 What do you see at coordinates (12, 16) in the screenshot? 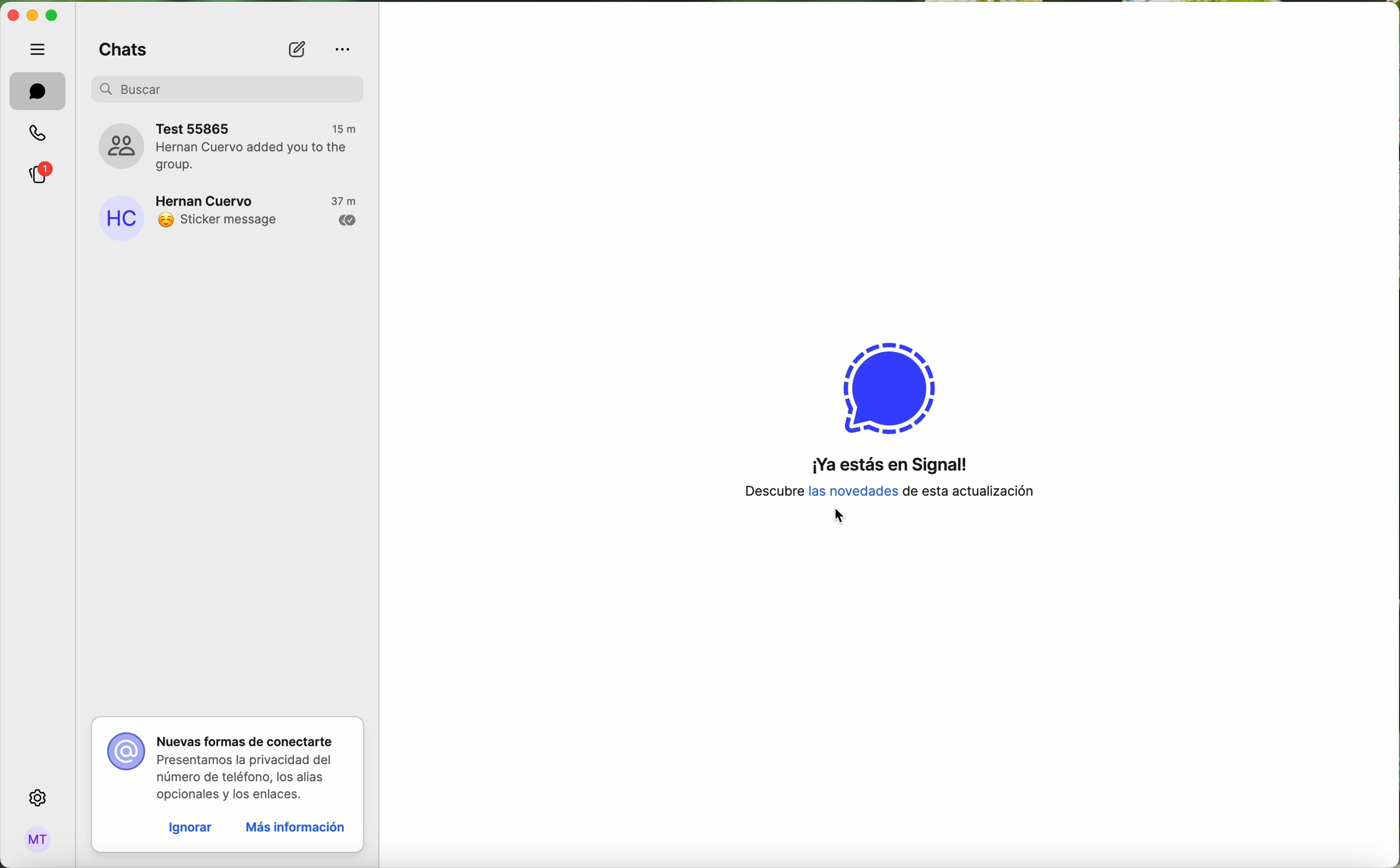
I see `close Signal` at bounding box center [12, 16].